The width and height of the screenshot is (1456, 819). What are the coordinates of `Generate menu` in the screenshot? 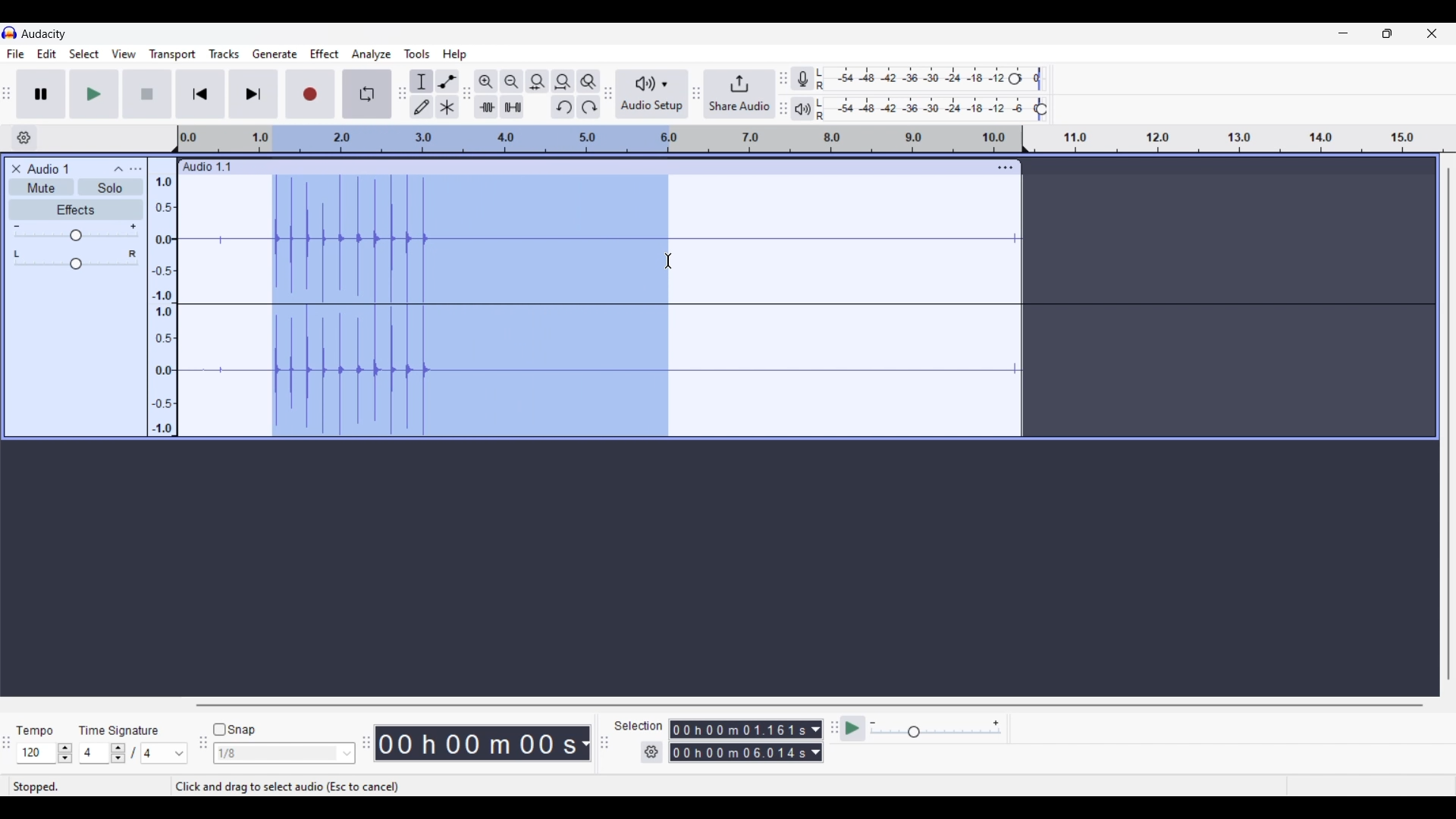 It's located at (275, 55).